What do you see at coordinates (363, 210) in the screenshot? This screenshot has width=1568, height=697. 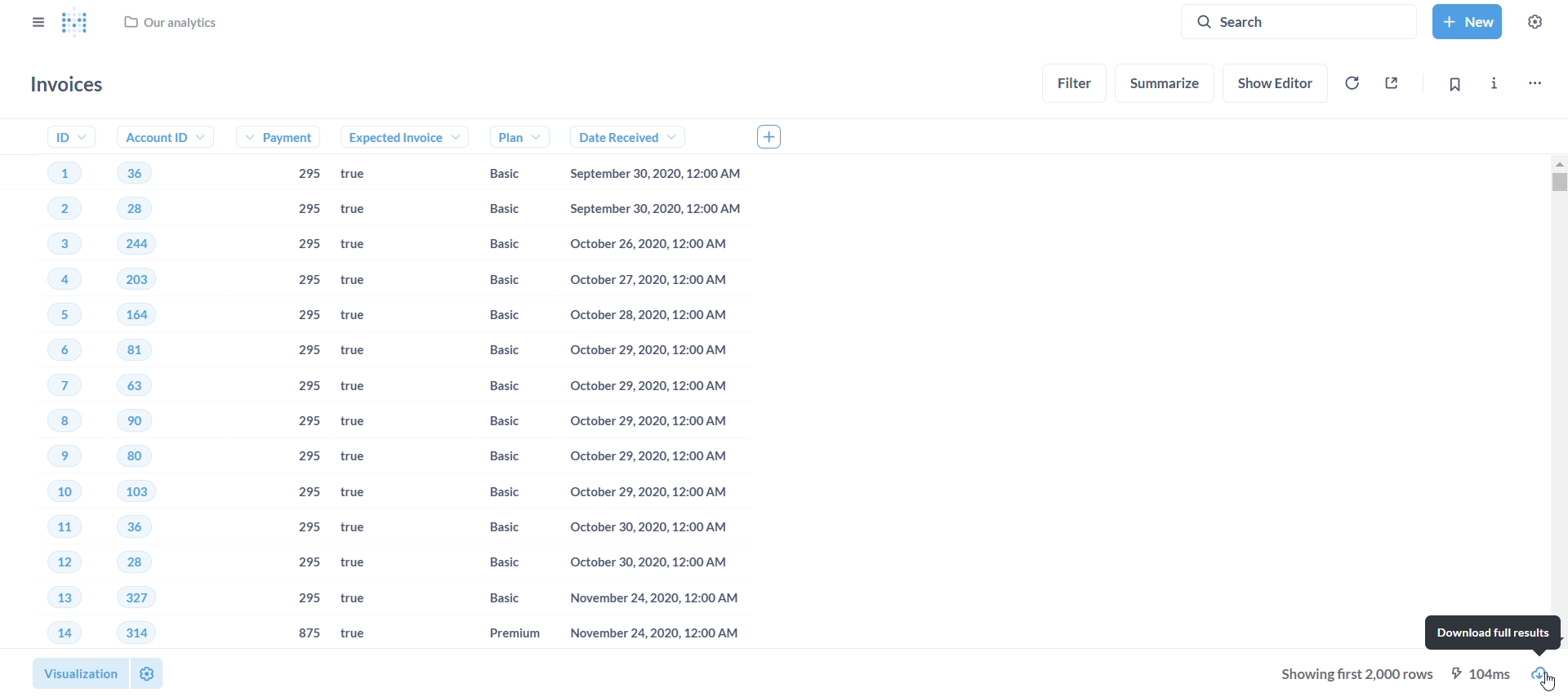 I see `true` at bounding box center [363, 210].